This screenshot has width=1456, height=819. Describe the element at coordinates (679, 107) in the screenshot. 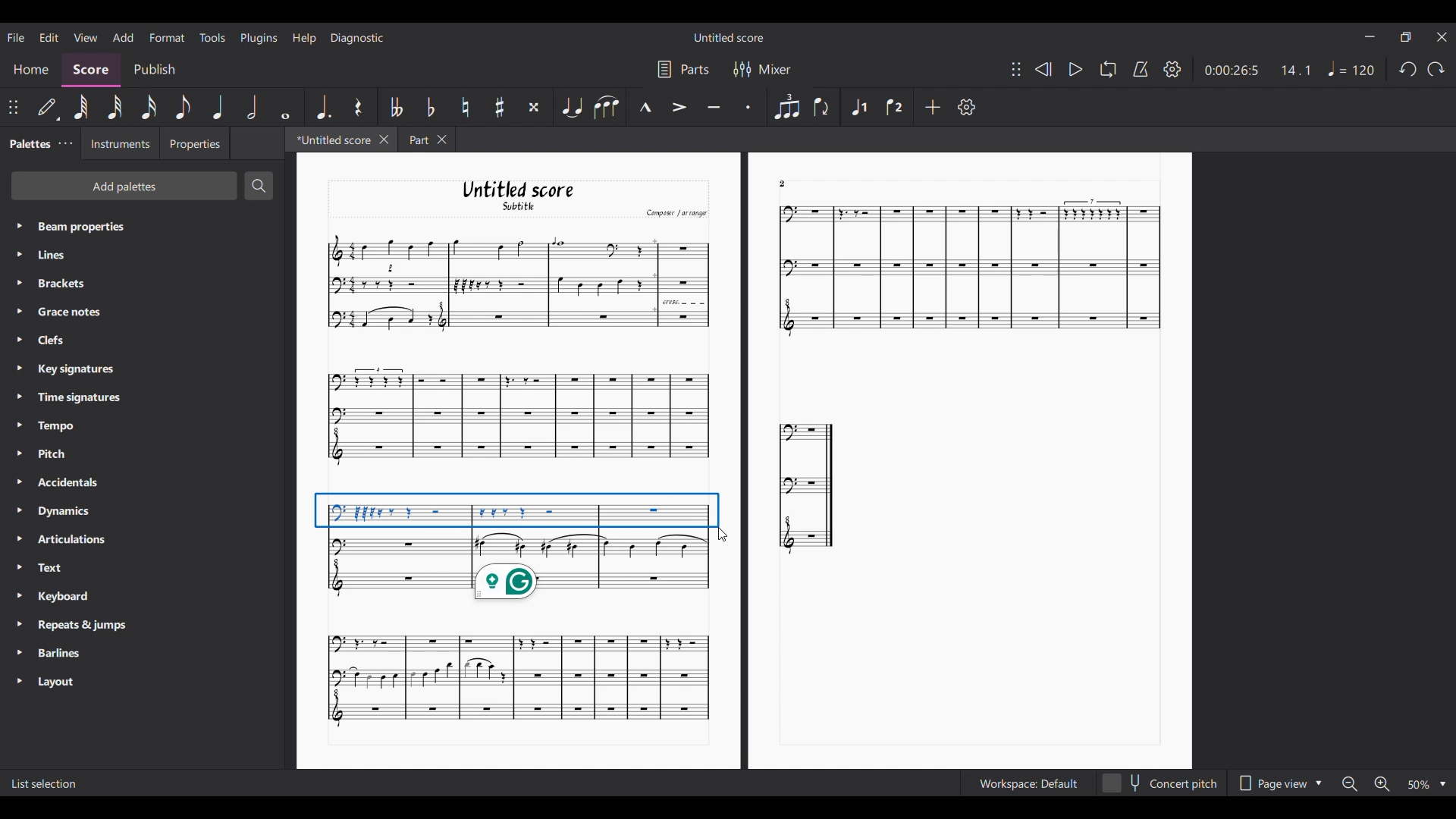

I see `Accent` at that location.